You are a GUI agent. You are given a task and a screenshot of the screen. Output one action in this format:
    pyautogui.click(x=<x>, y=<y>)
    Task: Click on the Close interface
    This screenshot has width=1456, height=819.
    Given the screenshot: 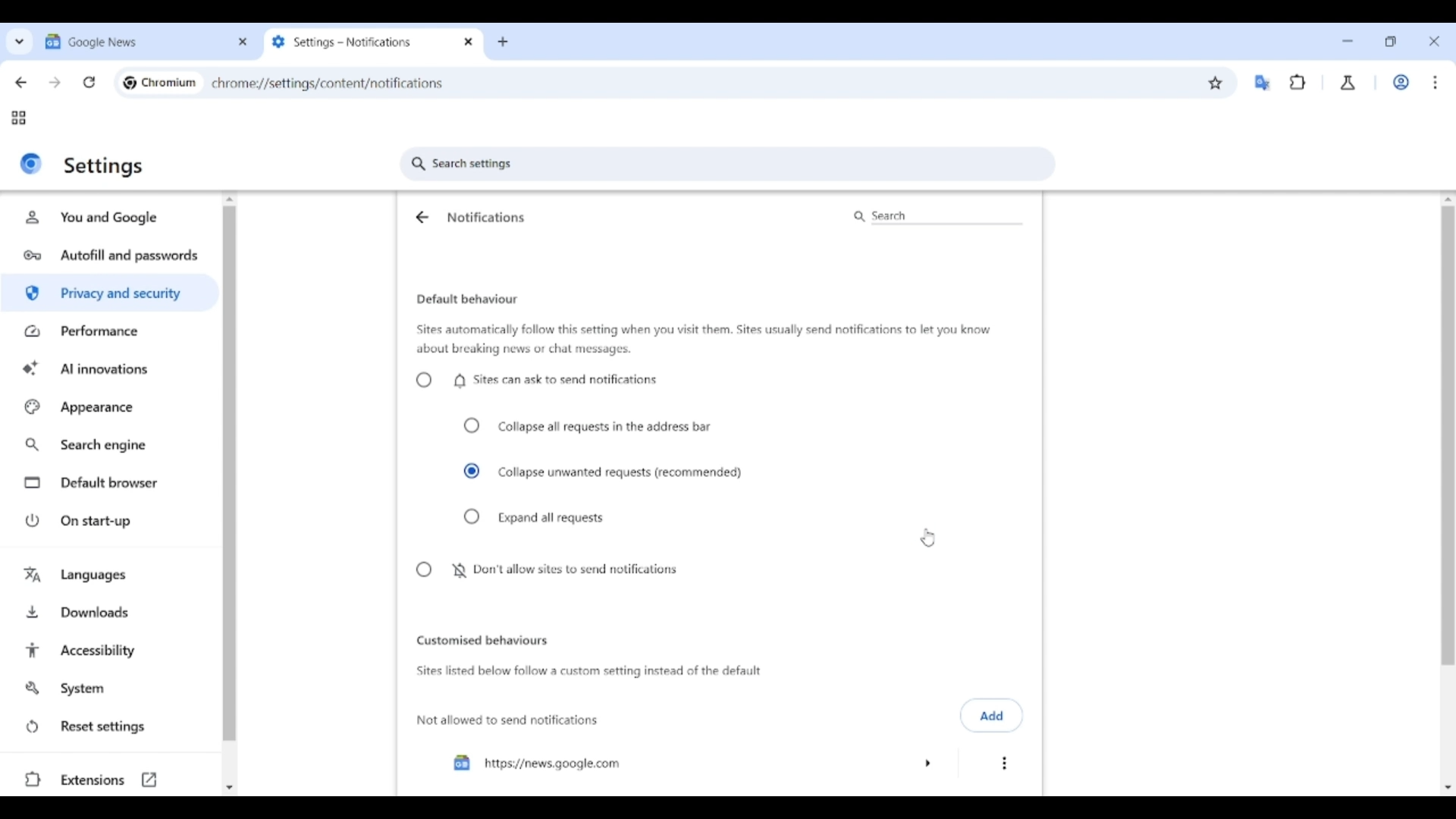 What is the action you would take?
    pyautogui.click(x=1434, y=41)
    